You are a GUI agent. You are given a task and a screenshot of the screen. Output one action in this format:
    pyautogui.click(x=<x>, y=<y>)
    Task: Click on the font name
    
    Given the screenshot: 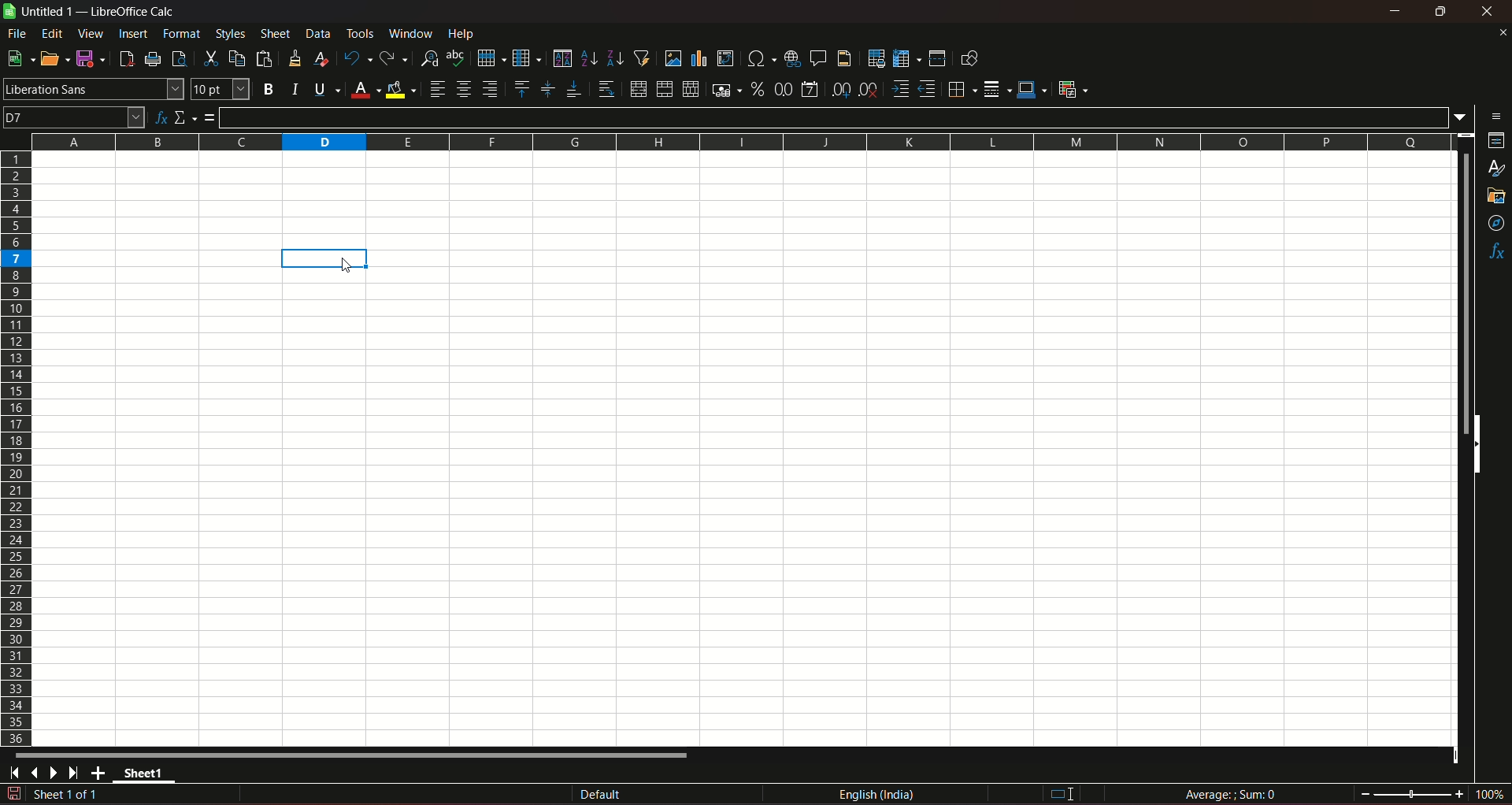 What is the action you would take?
    pyautogui.click(x=93, y=88)
    